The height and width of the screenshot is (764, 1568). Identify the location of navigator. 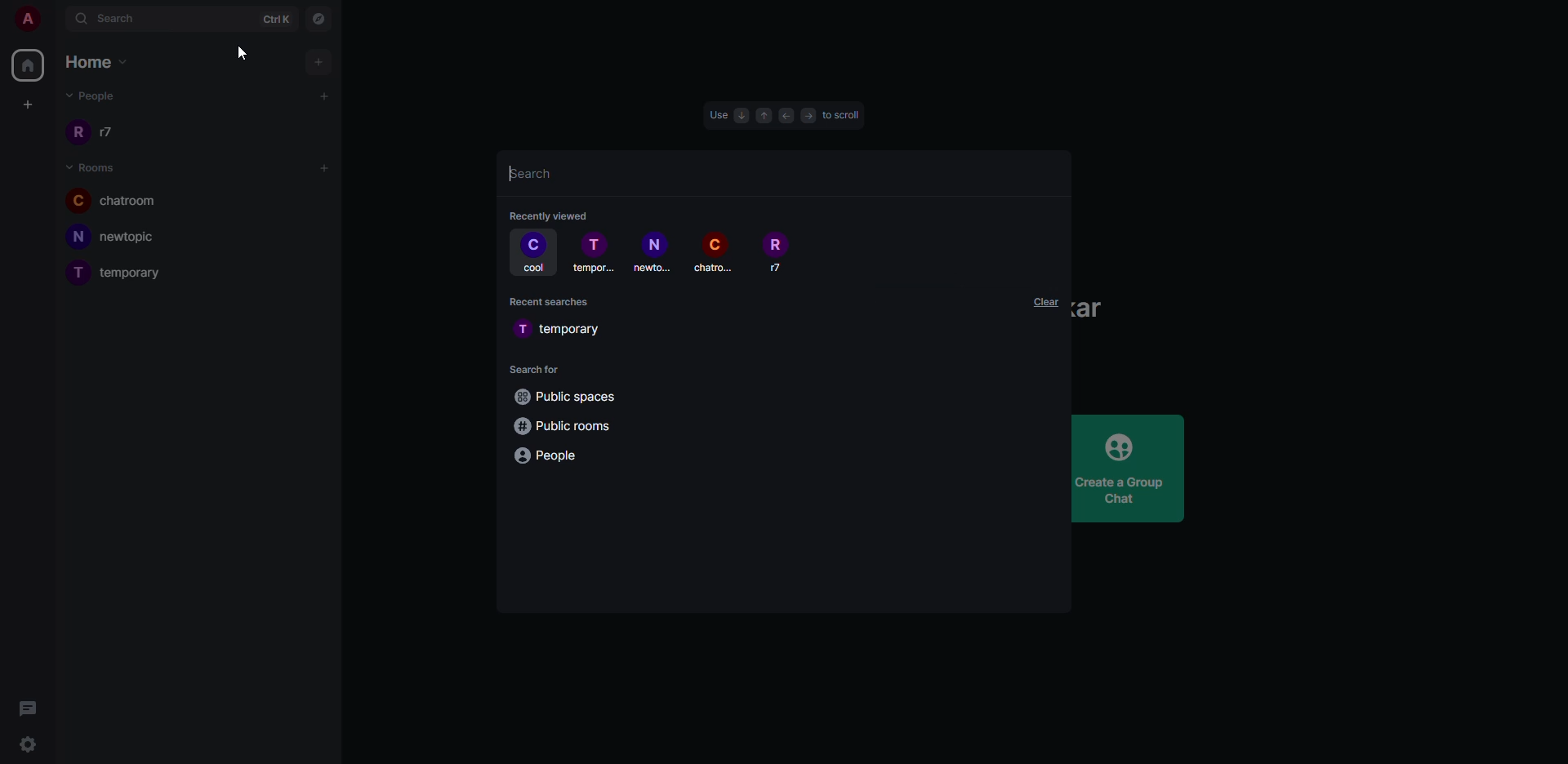
(321, 20).